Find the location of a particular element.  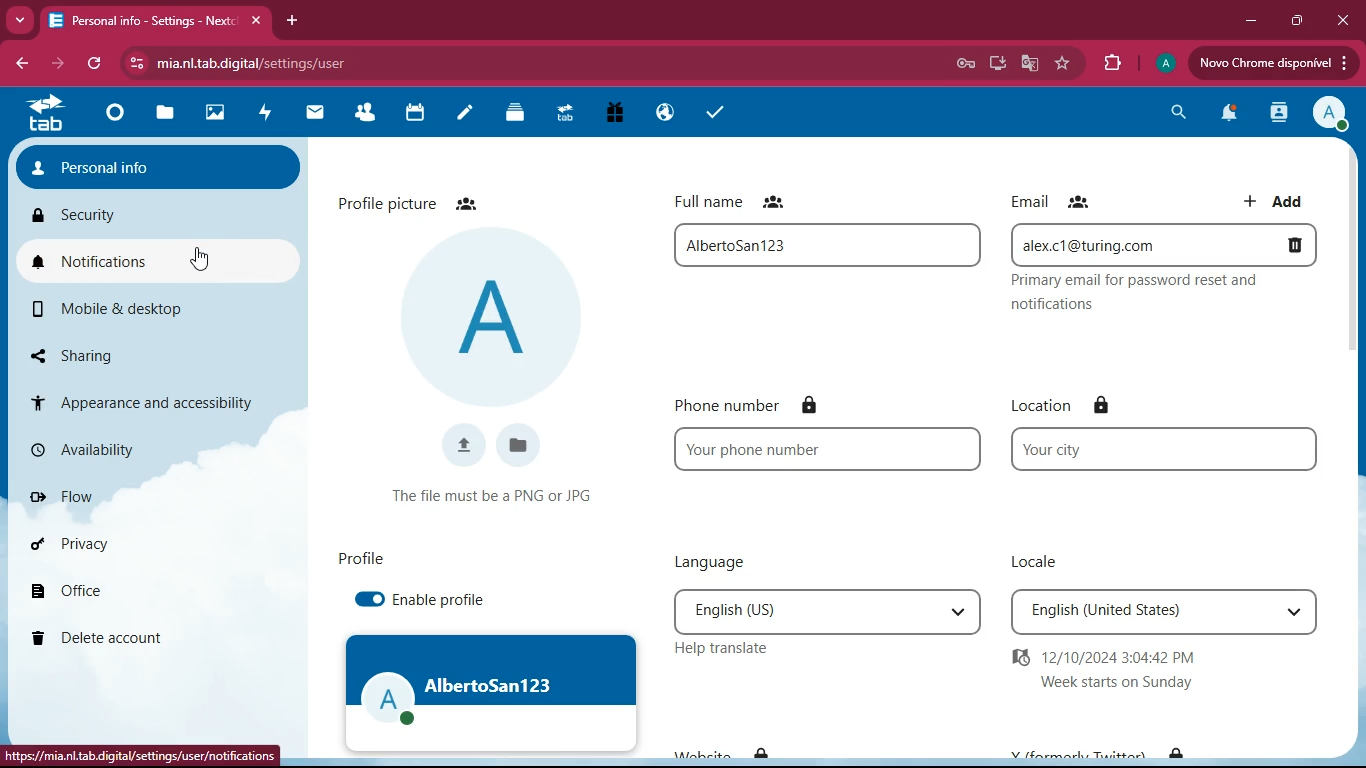

files is located at coordinates (519, 117).